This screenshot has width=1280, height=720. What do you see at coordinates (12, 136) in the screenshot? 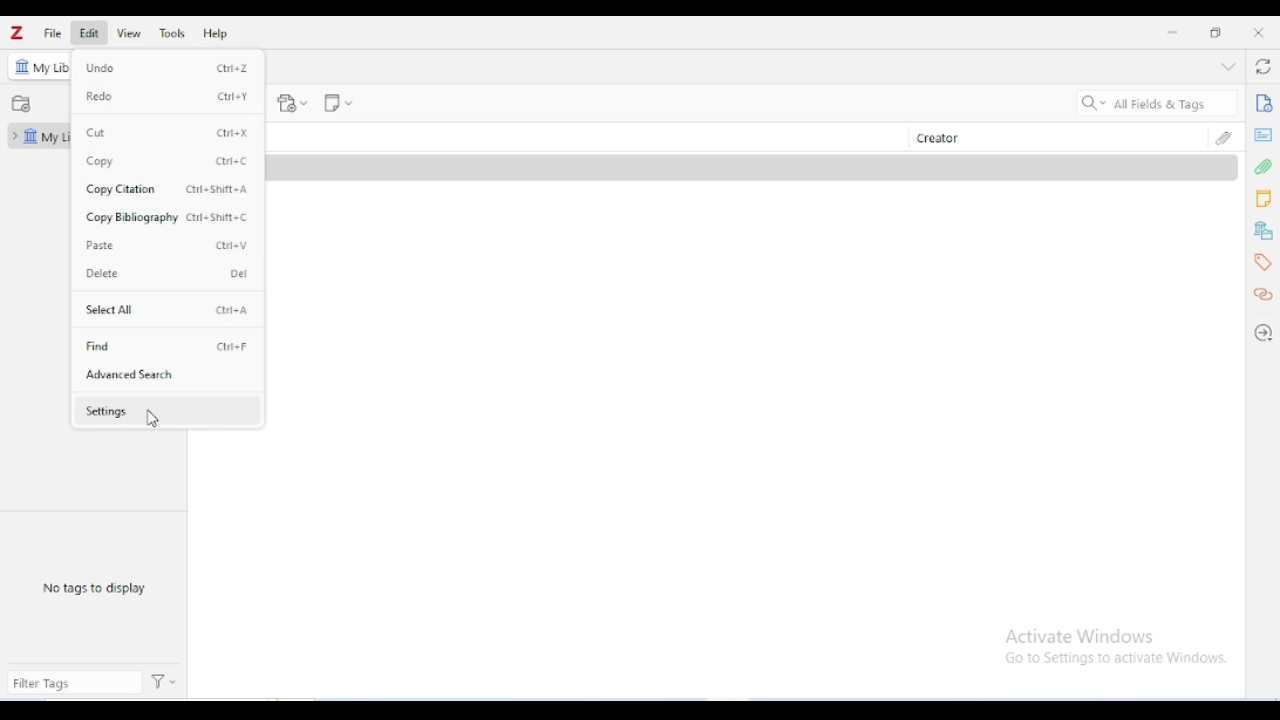
I see `expand/collapse ` at bounding box center [12, 136].